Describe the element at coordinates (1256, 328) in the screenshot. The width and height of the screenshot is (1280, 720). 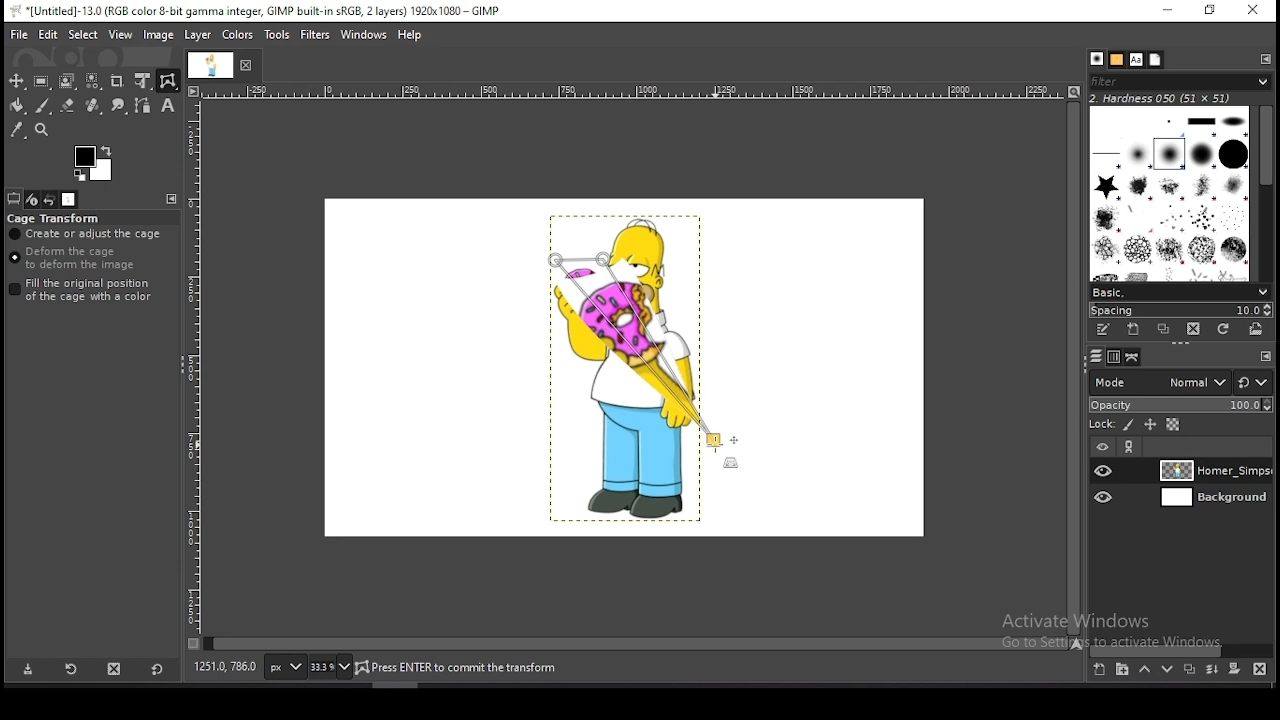
I see `open brush as image` at that location.